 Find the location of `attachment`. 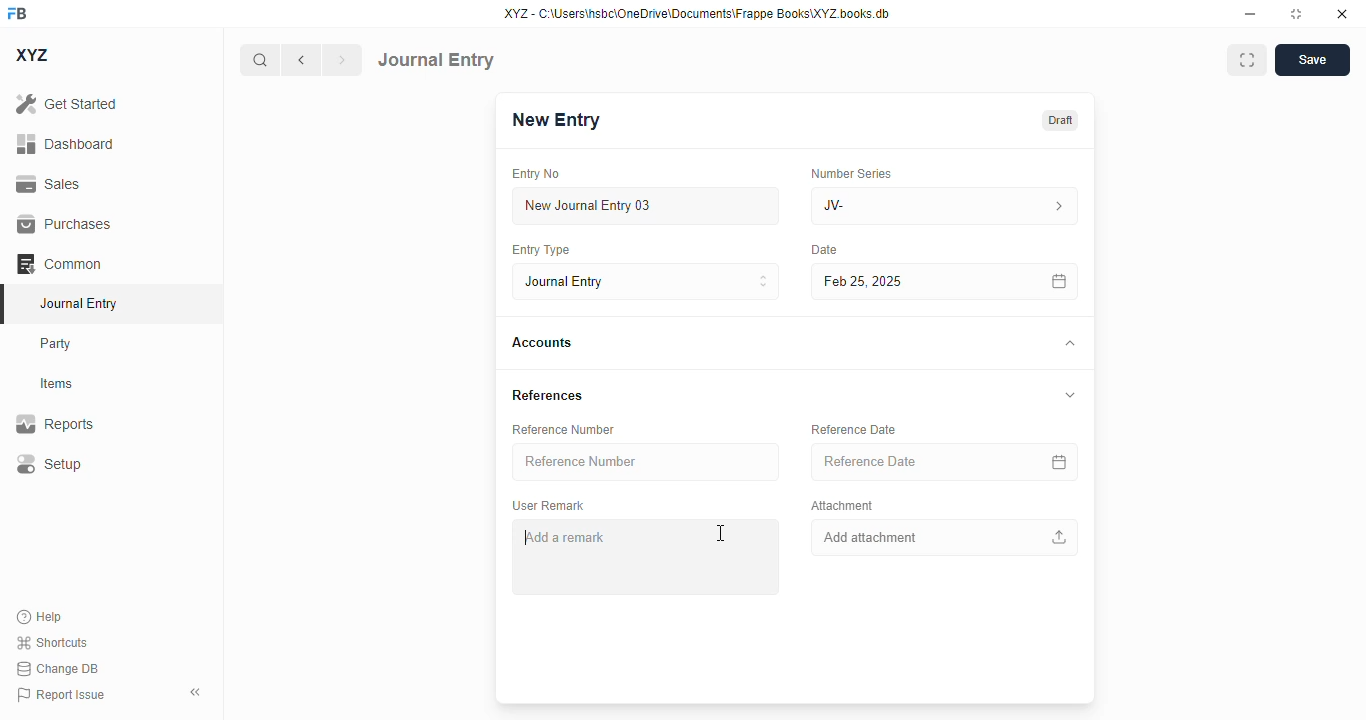

attachment is located at coordinates (841, 506).